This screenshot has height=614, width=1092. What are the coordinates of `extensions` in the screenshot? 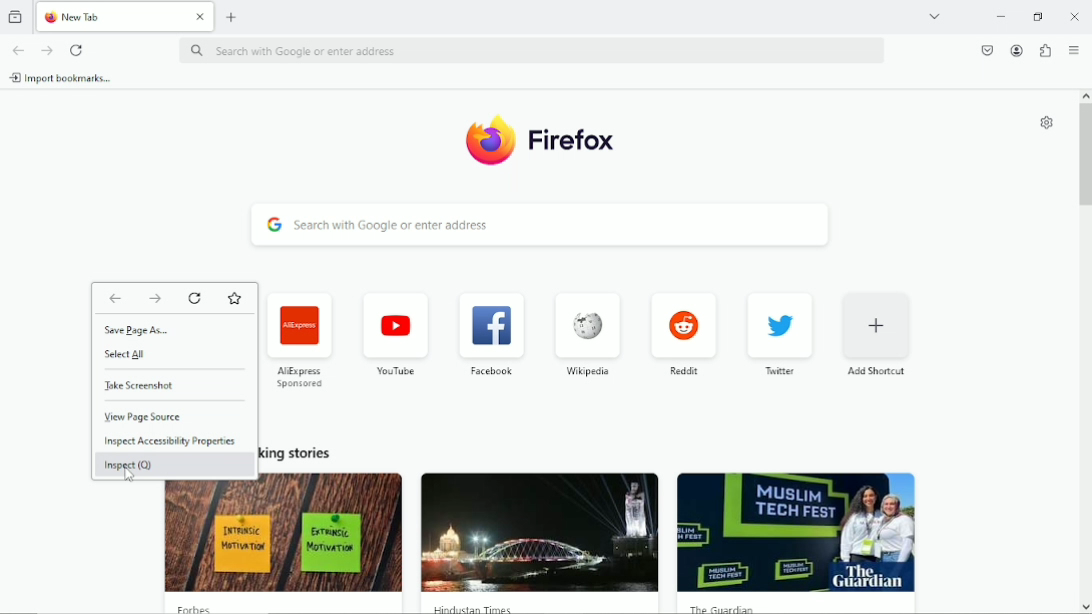 It's located at (1044, 50).